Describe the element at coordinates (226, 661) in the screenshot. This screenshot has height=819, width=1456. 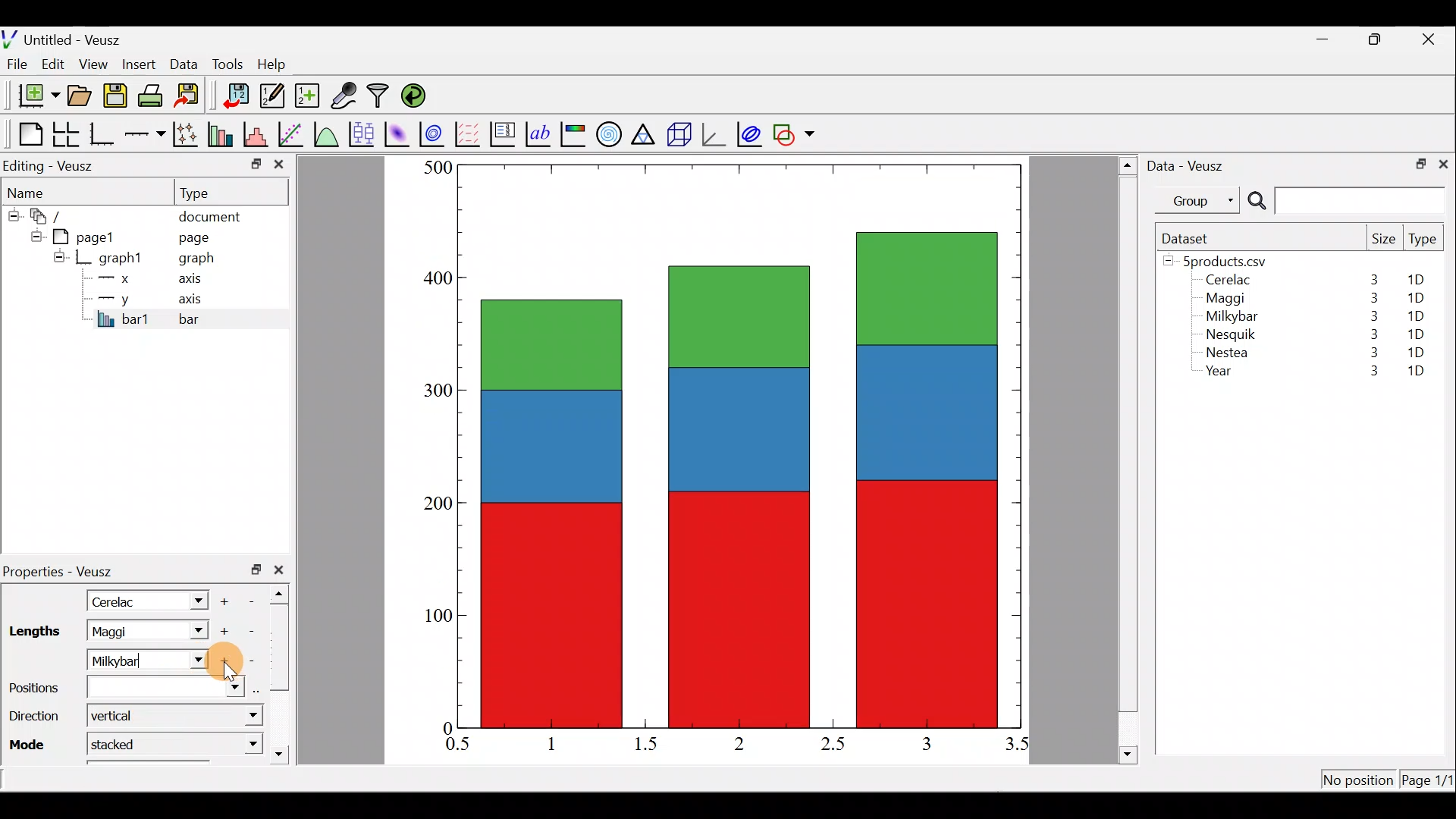
I see `Add another item` at that location.